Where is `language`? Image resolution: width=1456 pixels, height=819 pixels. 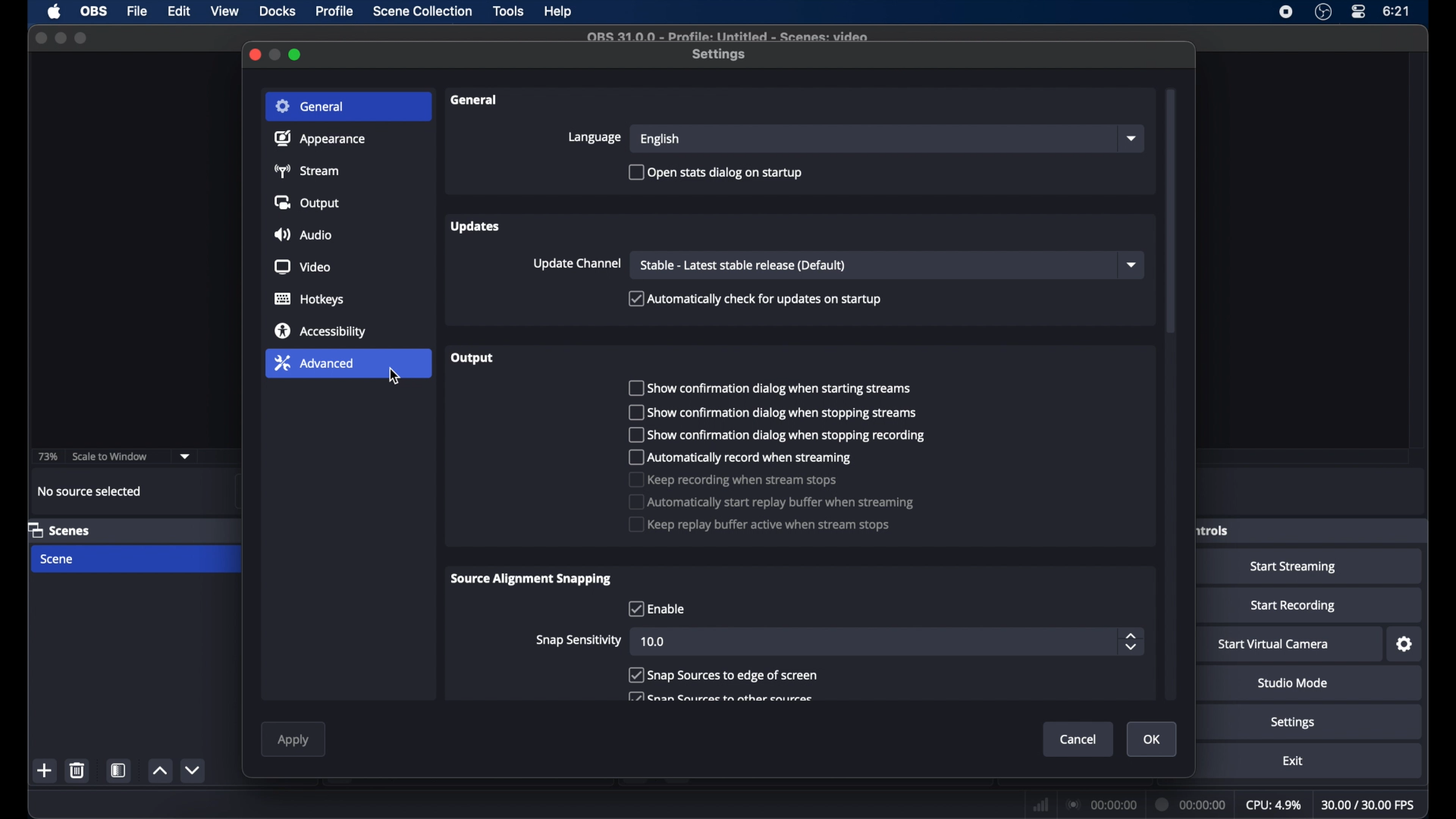
language is located at coordinates (595, 137).